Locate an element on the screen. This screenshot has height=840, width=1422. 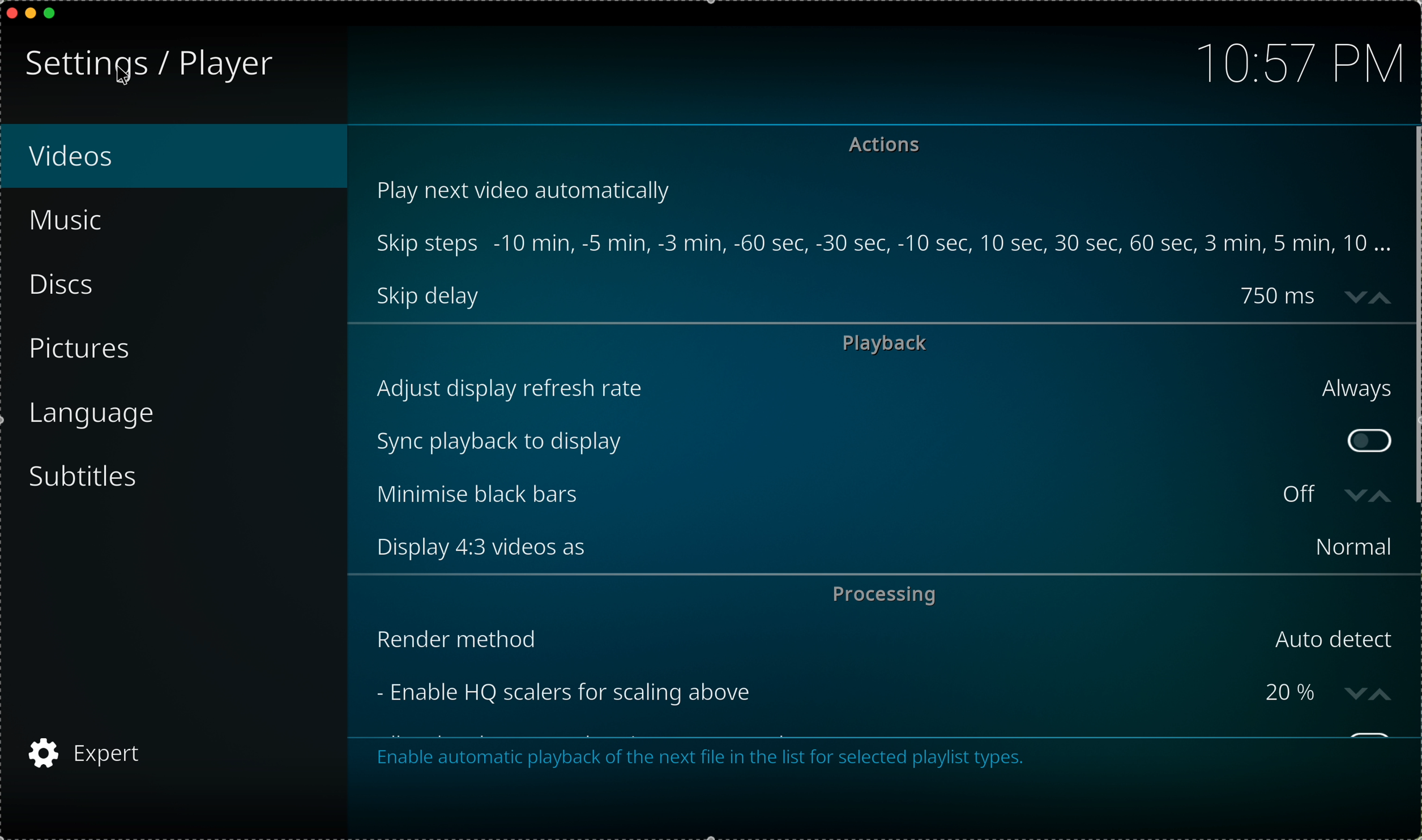
decrease value is located at coordinates (1382, 496).